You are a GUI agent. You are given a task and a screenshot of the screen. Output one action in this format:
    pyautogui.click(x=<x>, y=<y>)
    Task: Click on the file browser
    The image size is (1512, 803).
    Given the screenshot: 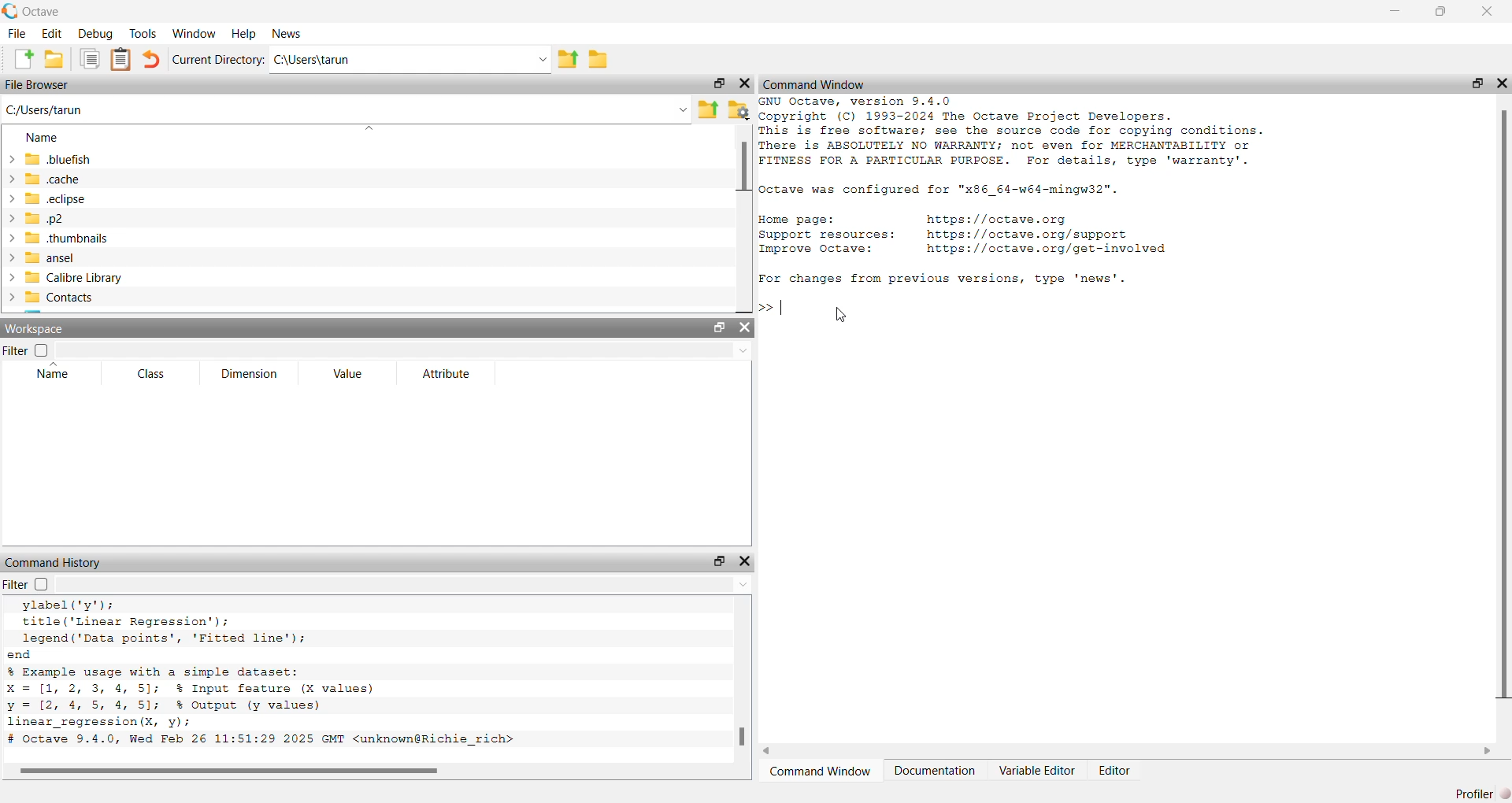 What is the action you would take?
    pyautogui.click(x=39, y=86)
    